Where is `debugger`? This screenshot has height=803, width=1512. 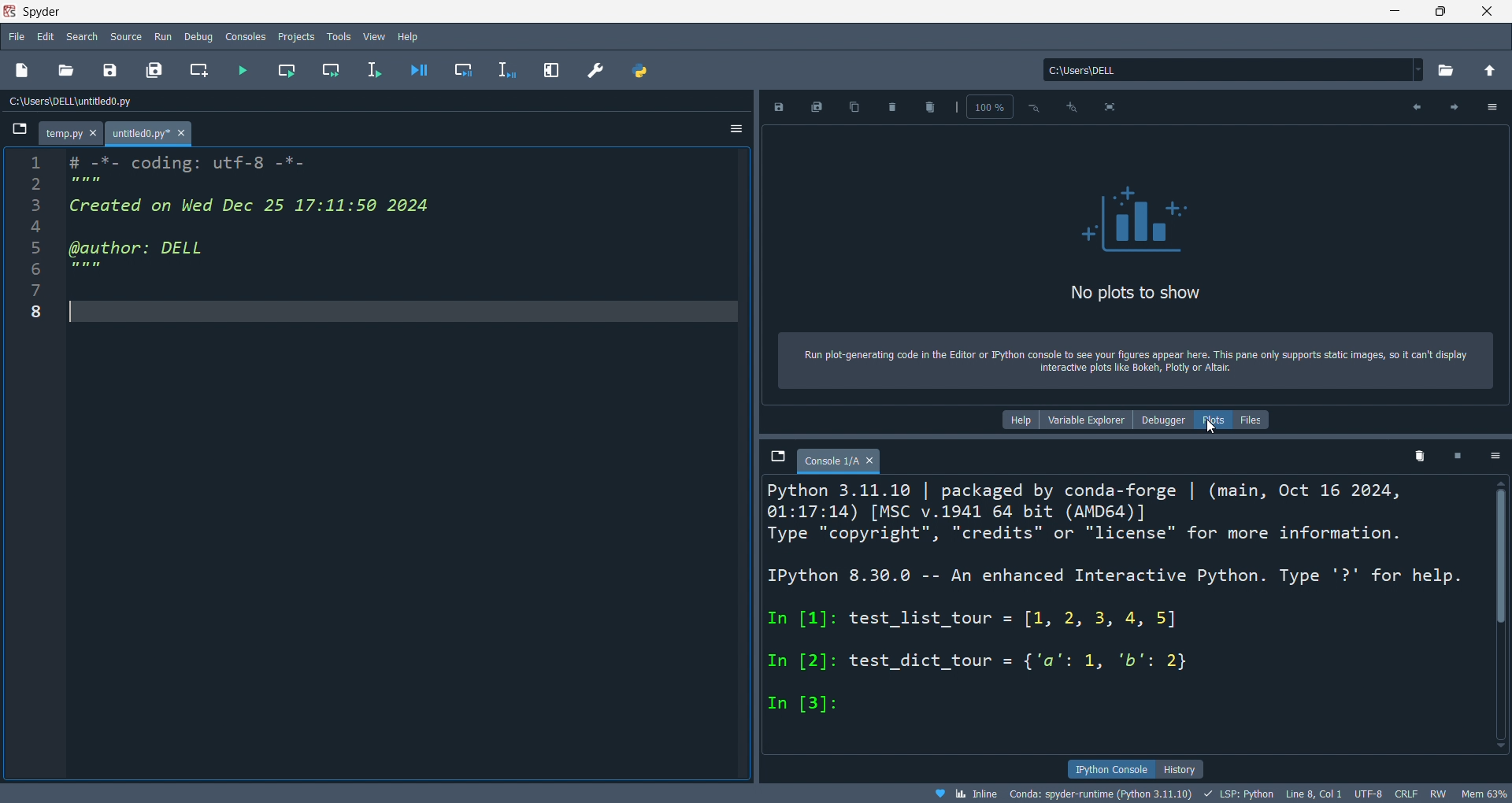 debugger is located at coordinates (1165, 420).